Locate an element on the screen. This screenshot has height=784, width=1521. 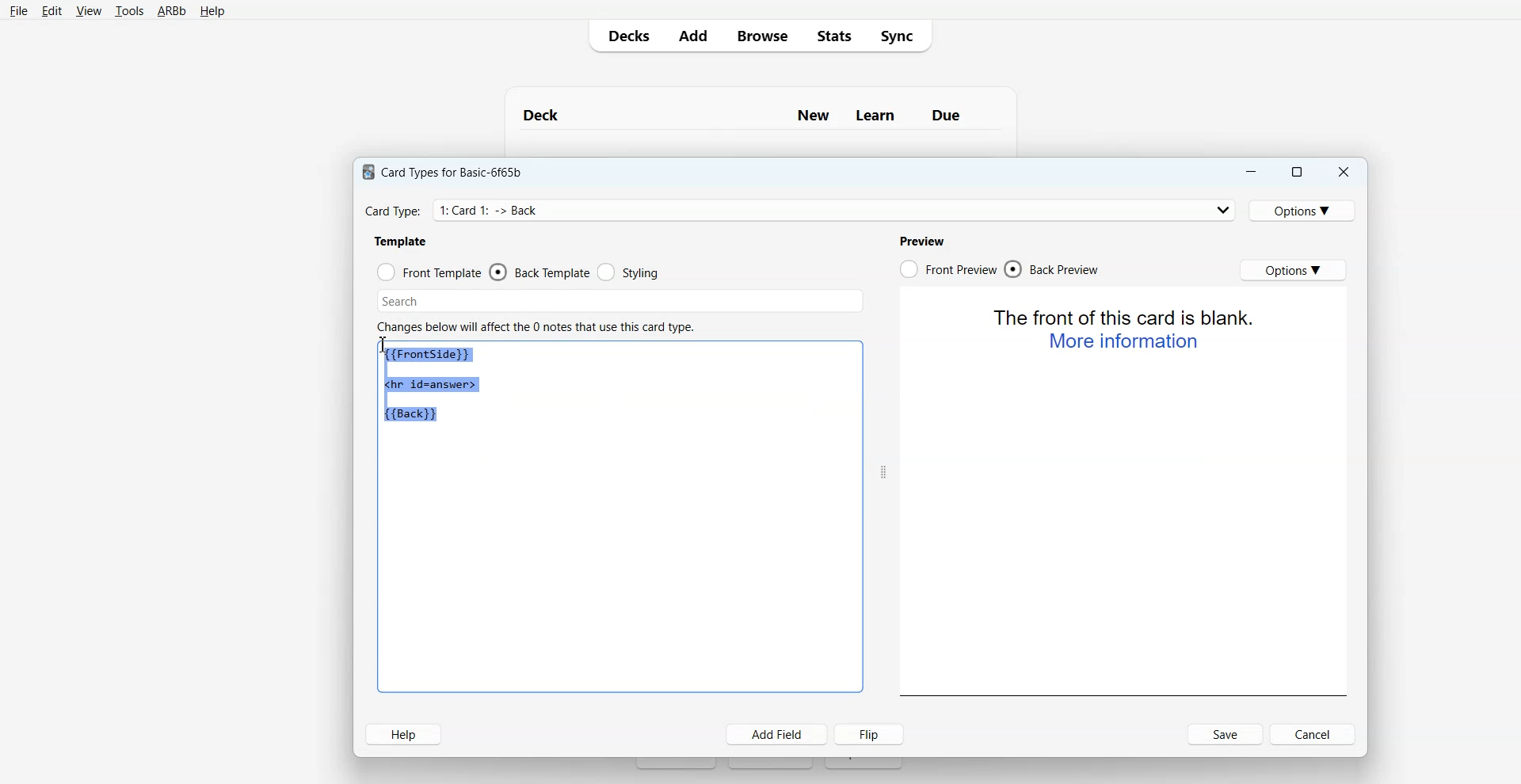
Close is located at coordinates (1344, 171).